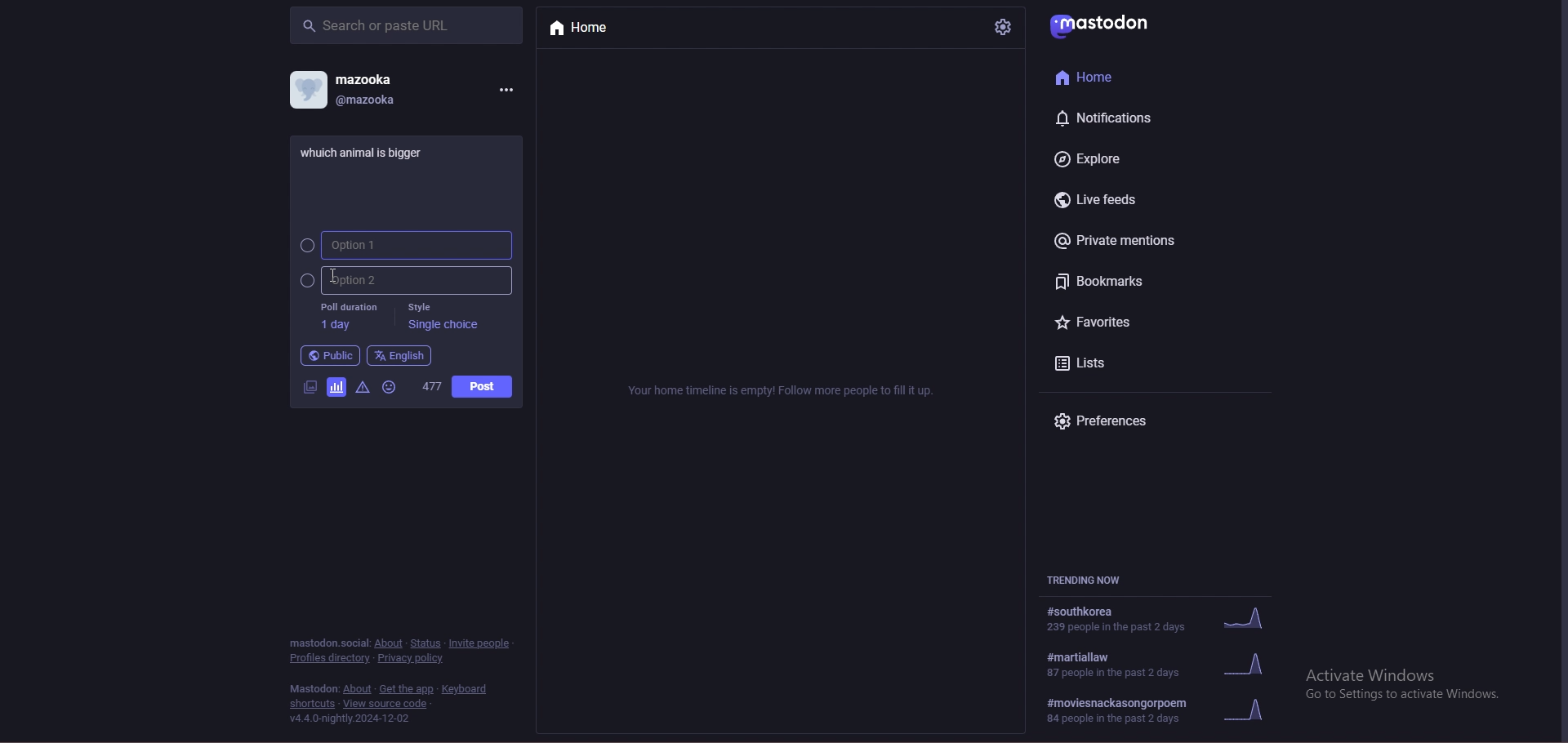  Describe the element at coordinates (308, 388) in the screenshot. I see `image` at that location.